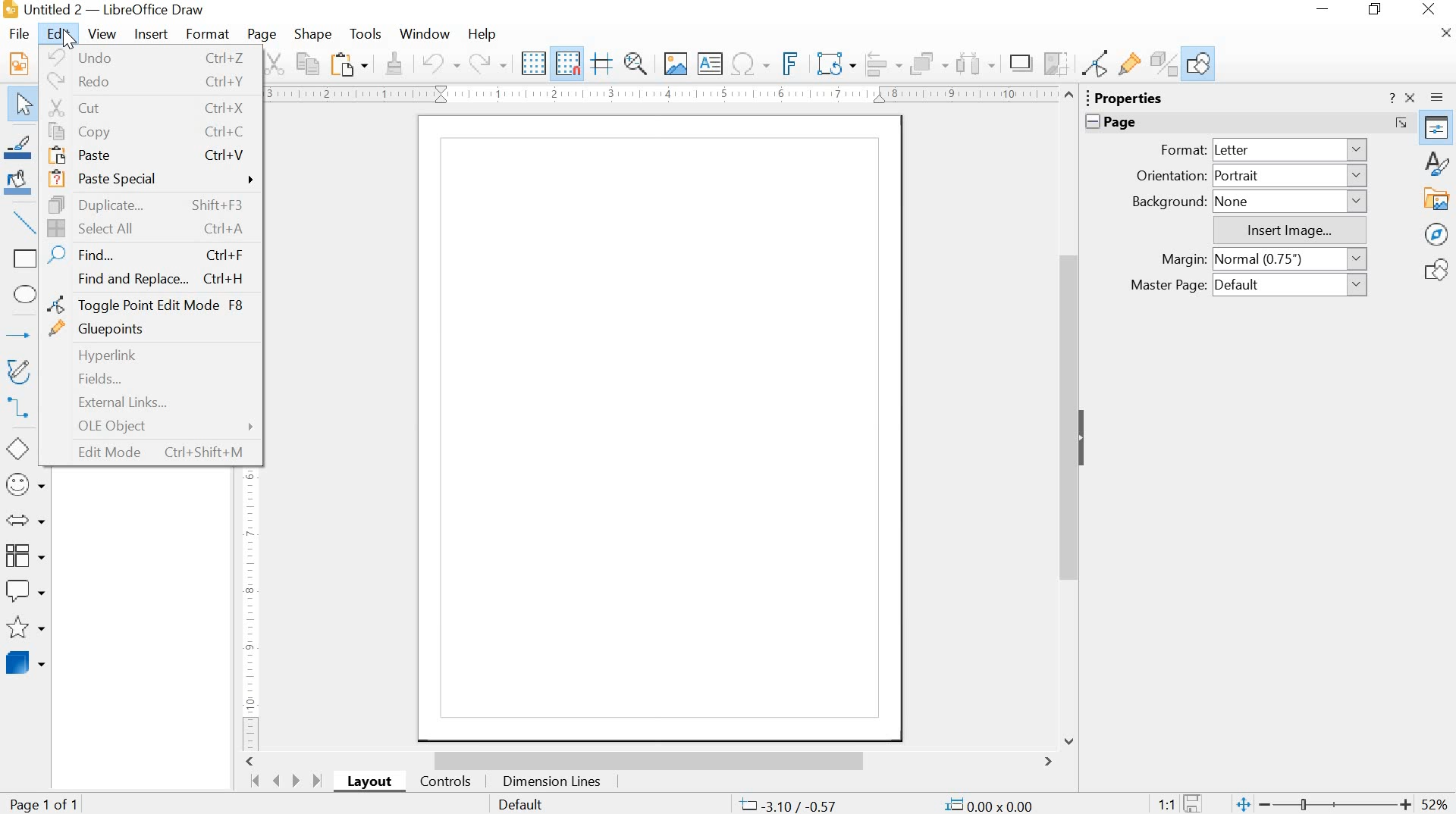  Describe the element at coordinates (657, 95) in the screenshot. I see `Ruler` at that location.